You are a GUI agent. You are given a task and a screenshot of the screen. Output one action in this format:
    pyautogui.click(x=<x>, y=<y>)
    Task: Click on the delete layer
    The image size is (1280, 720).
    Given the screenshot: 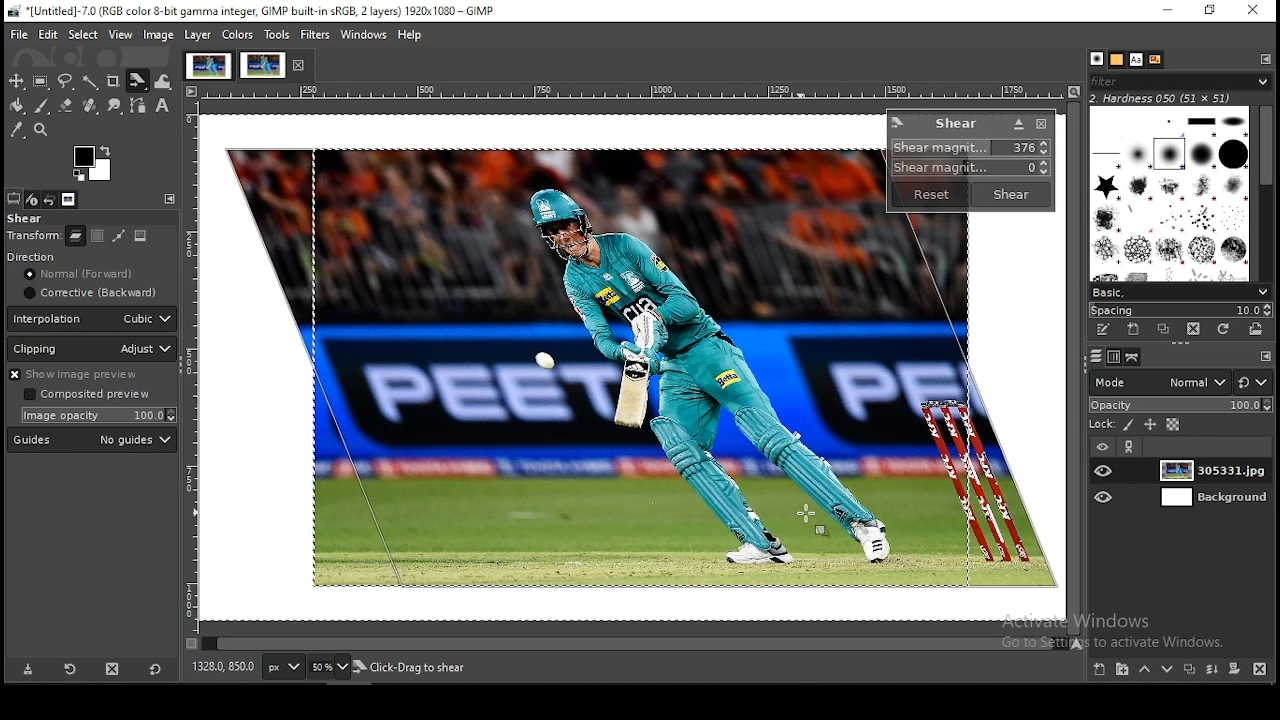 What is the action you would take?
    pyautogui.click(x=1261, y=669)
    